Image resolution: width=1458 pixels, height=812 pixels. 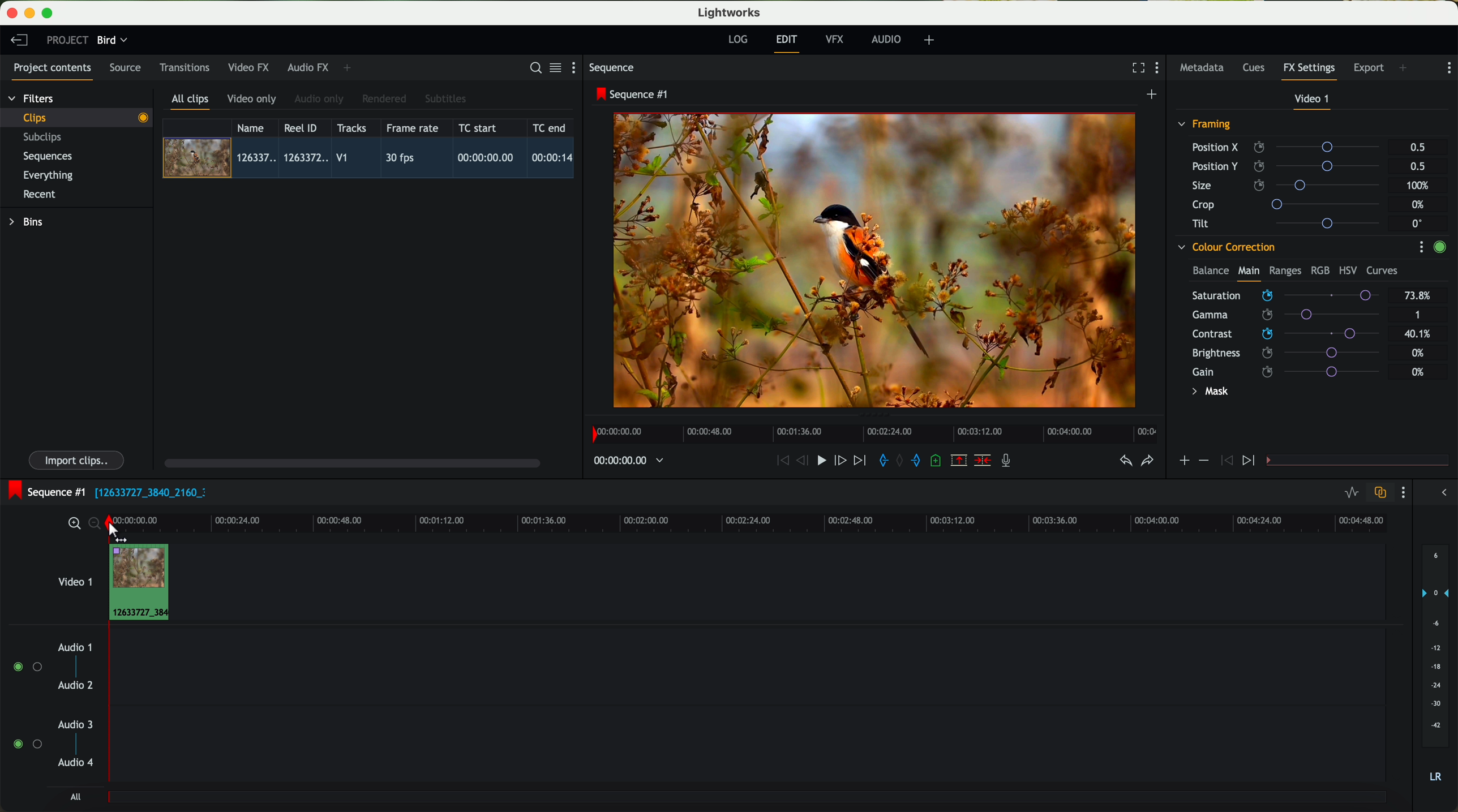 I want to click on 0%, so click(x=1418, y=372).